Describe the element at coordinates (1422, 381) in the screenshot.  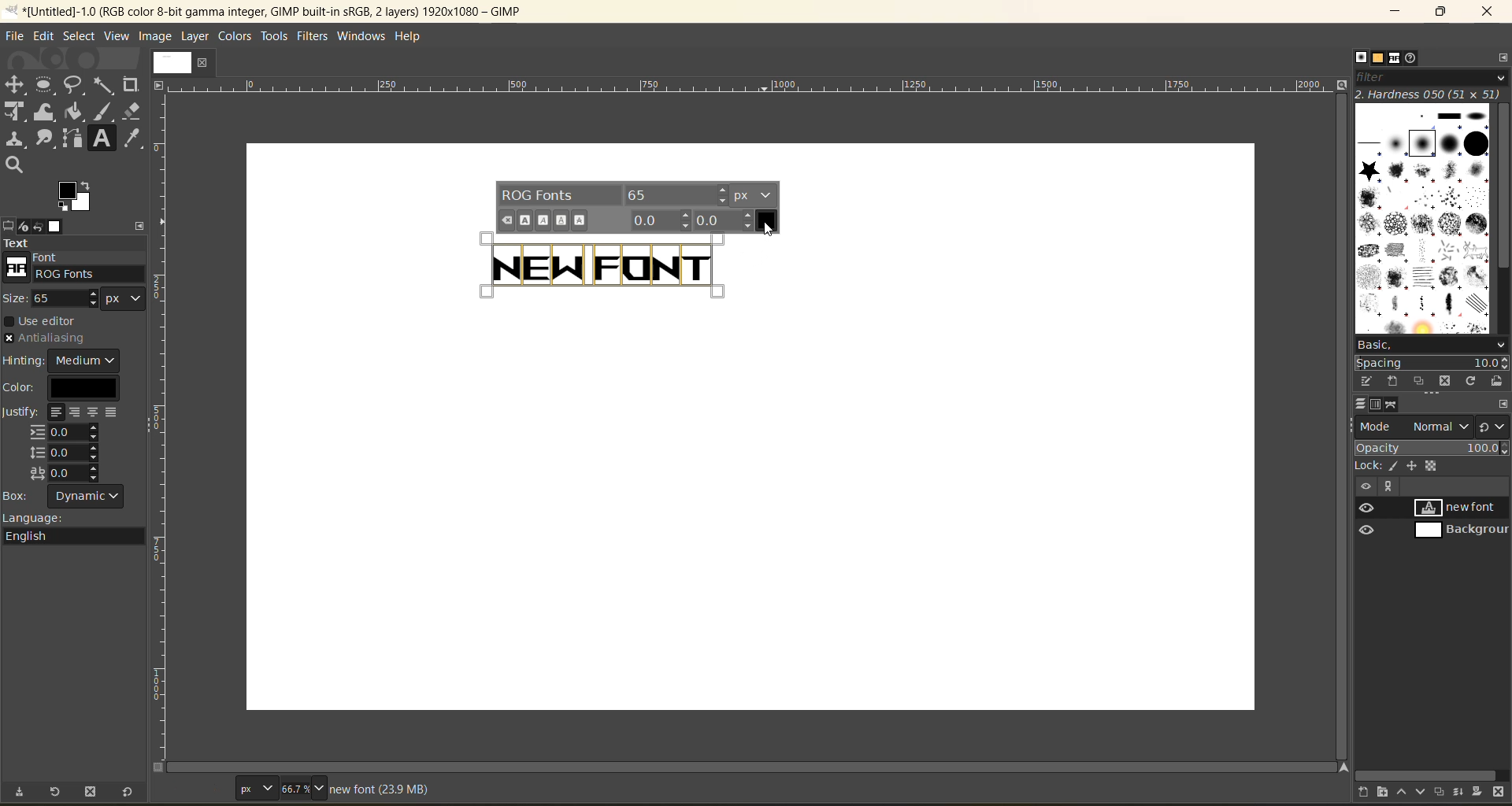
I see `duplicate this brush` at that location.